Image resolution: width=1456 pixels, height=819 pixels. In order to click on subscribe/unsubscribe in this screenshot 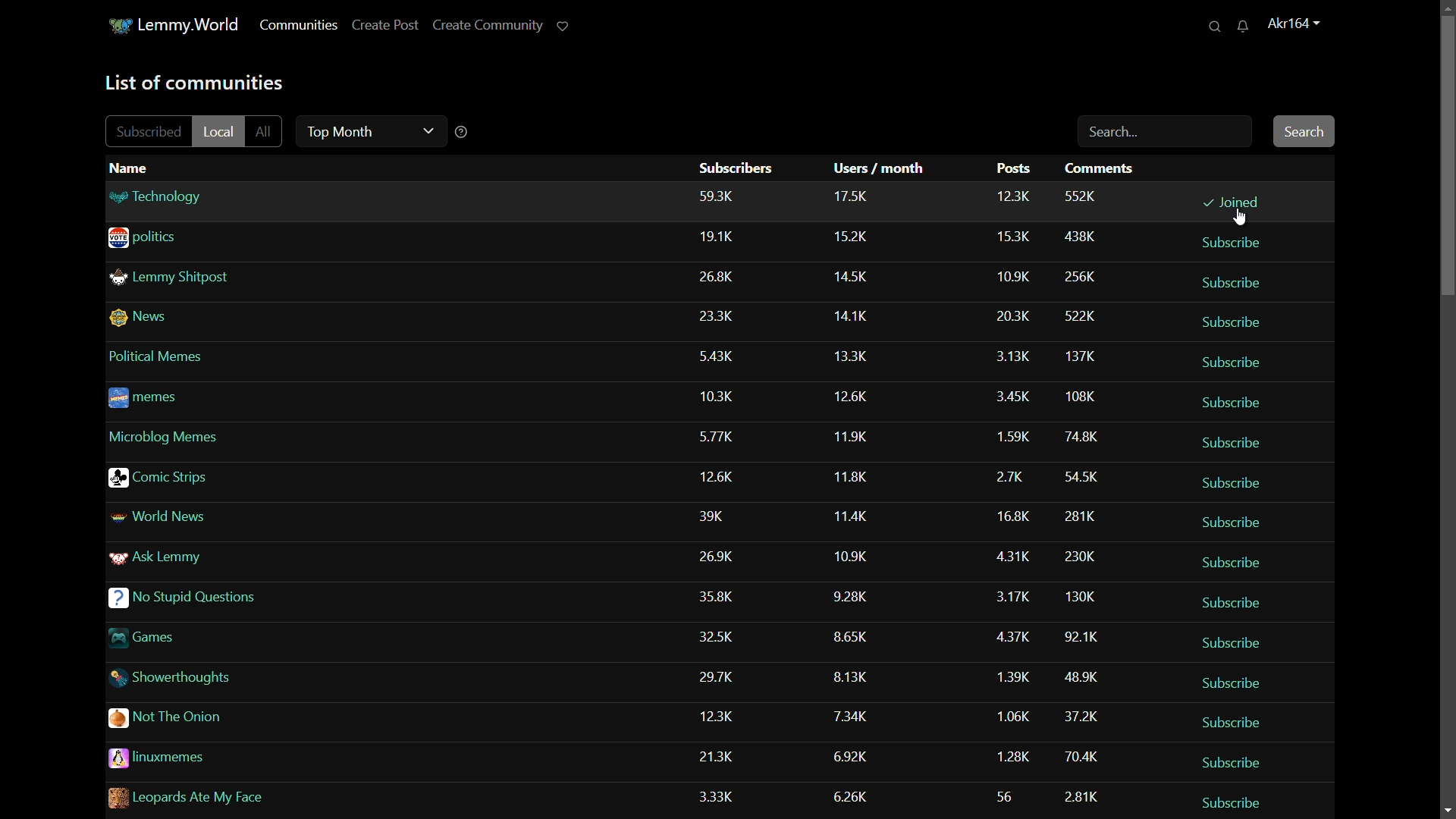, I will do `click(1232, 522)`.